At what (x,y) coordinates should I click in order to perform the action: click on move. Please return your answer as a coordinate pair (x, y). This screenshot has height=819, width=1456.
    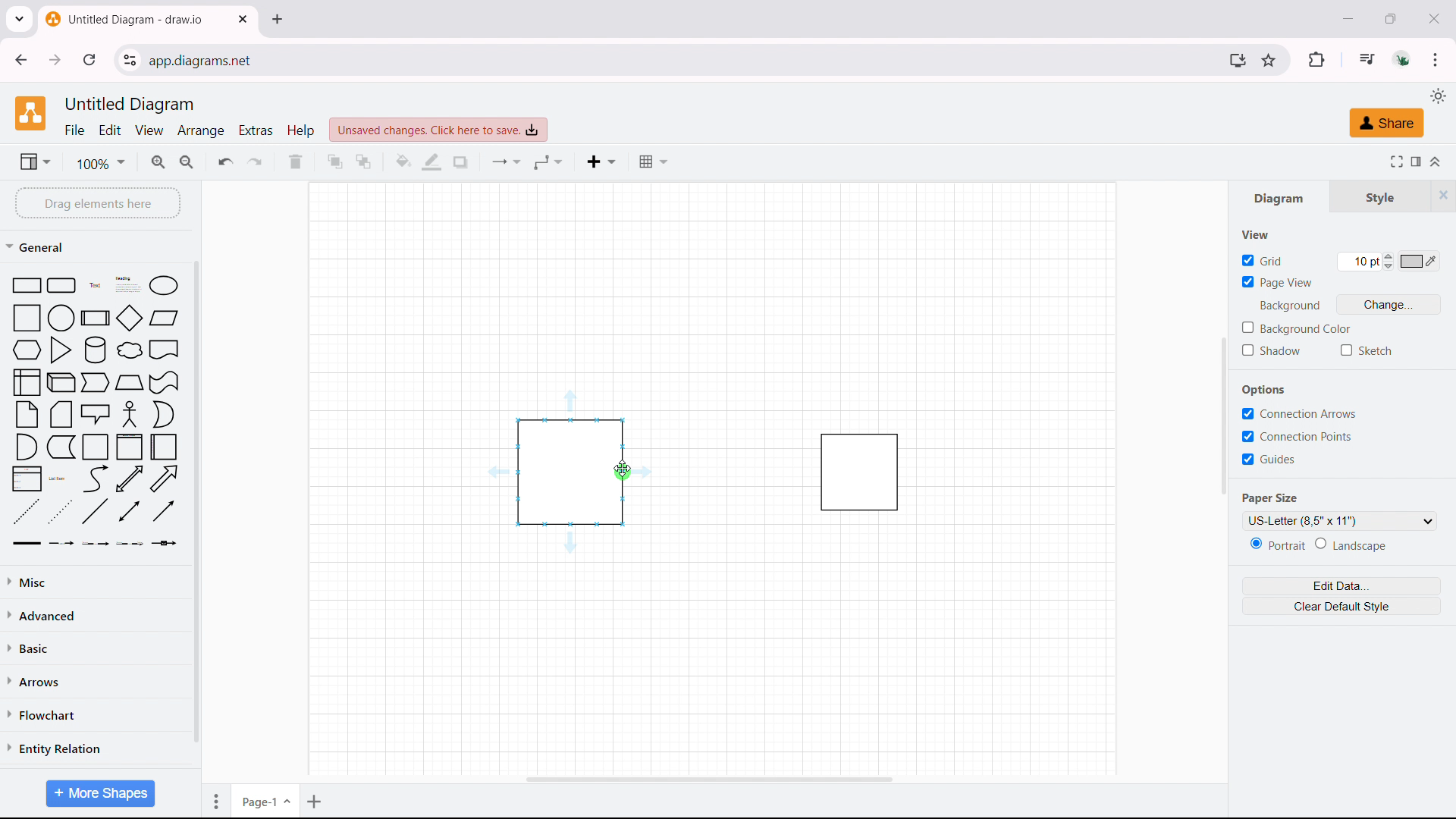
    Looking at the image, I should click on (213, 800).